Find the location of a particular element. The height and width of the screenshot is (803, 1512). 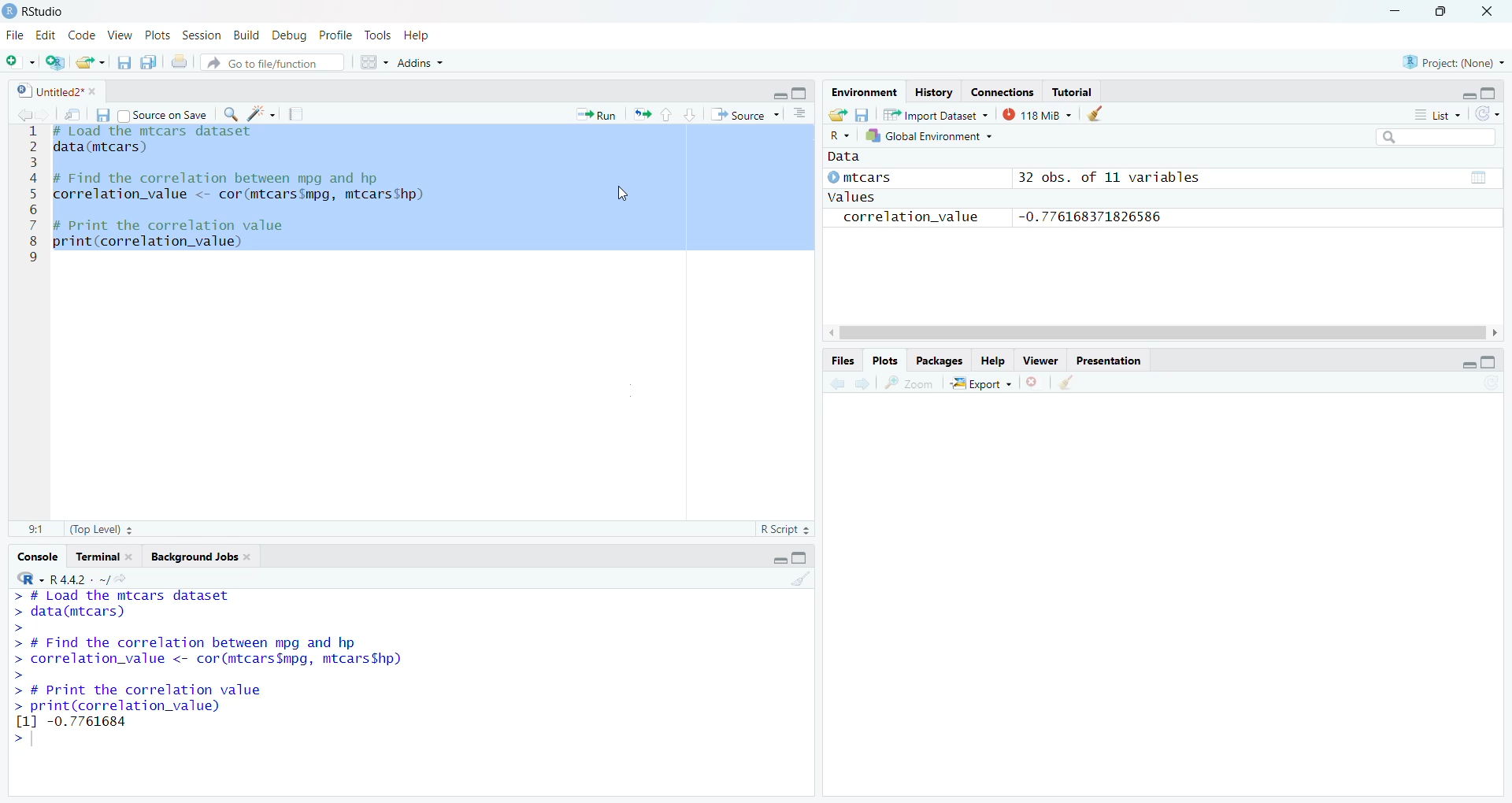

Save current document (Ctrl + S) is located at coordinates (122, 62).